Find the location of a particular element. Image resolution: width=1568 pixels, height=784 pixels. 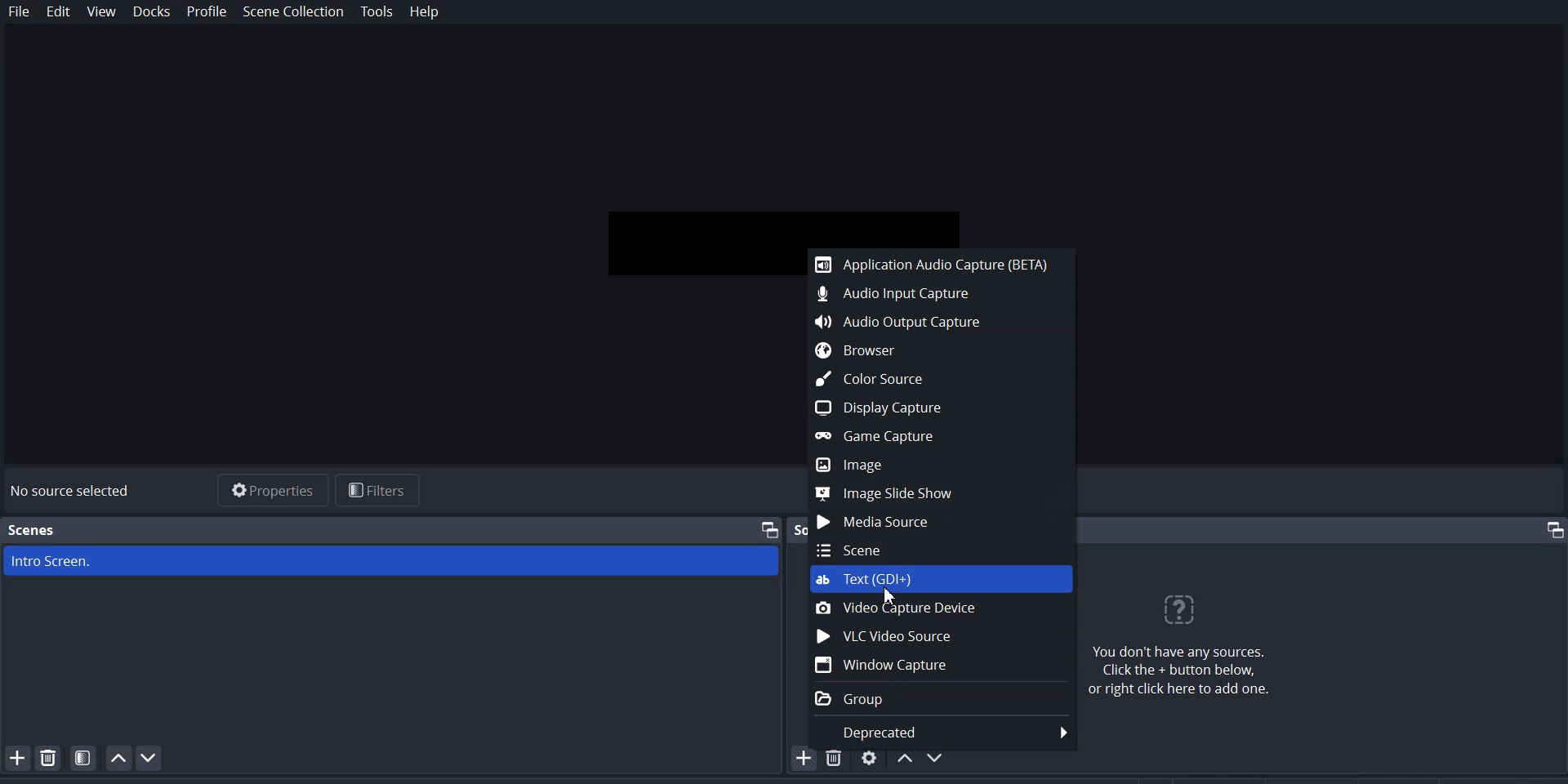

Docks is located at coordinates (151, 12).